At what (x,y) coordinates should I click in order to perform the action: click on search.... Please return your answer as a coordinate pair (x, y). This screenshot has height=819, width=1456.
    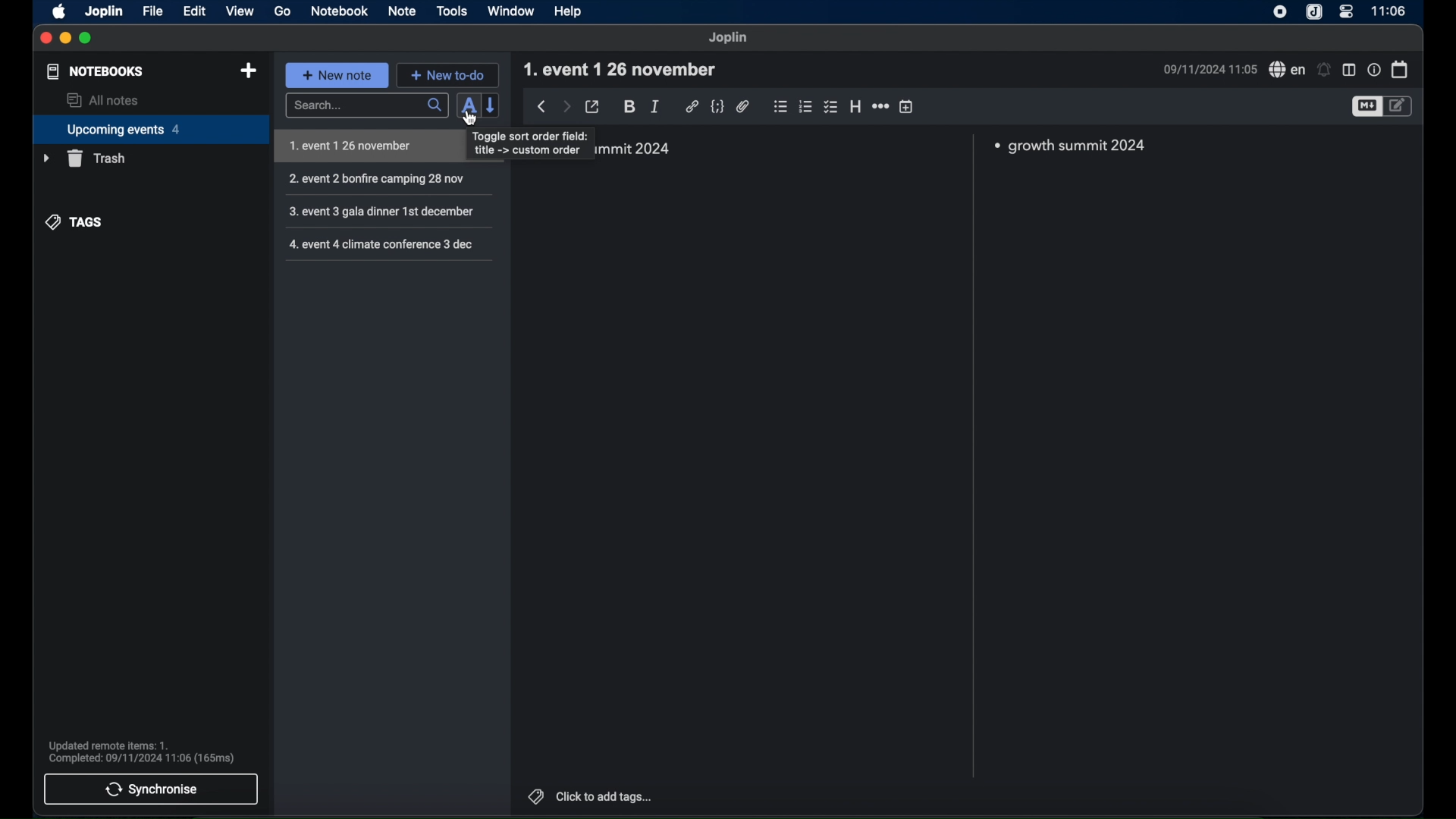
    Looking at the image, I should click on (366, 105).